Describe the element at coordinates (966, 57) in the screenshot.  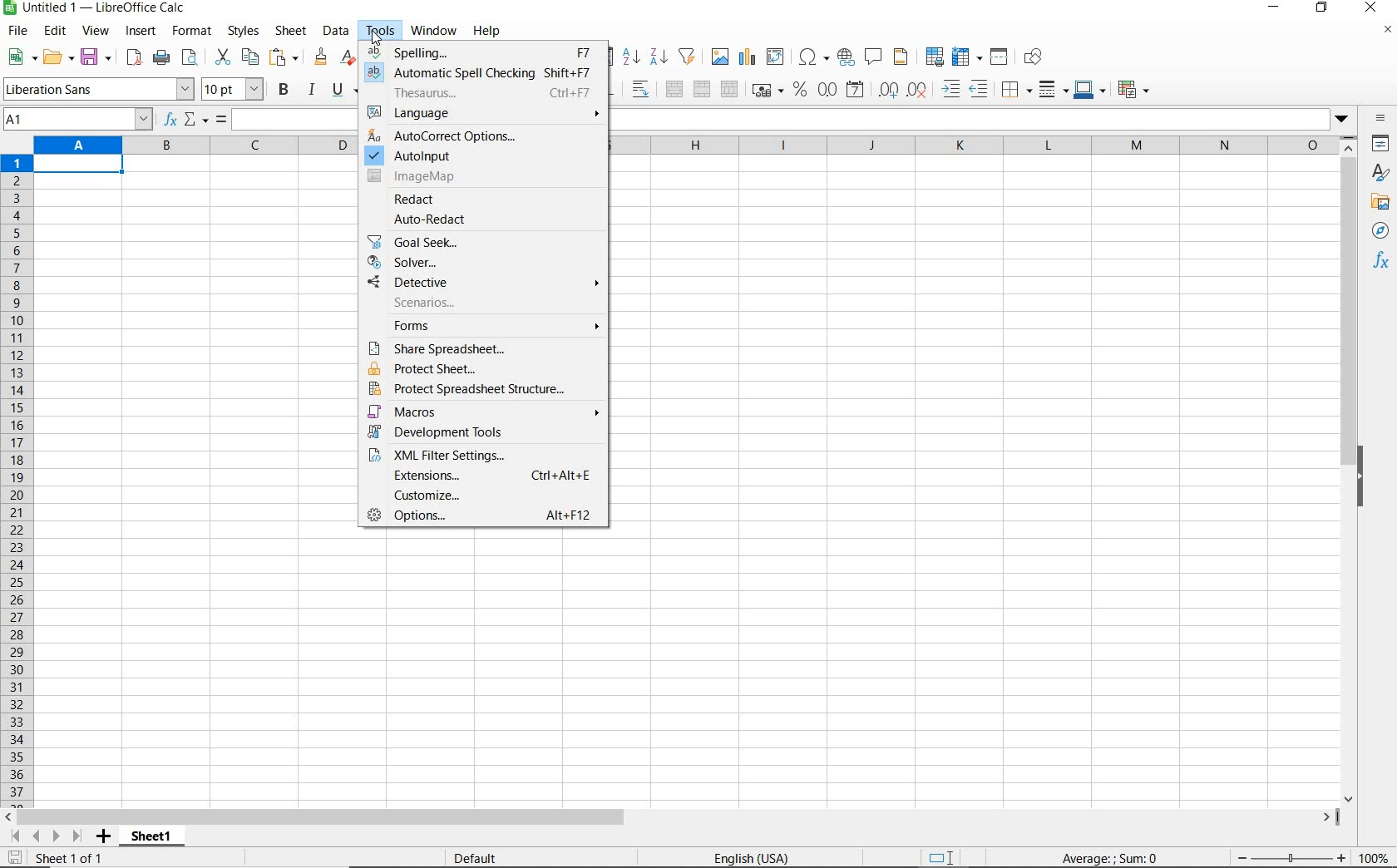
I see `freeze rows & columns` at that location.